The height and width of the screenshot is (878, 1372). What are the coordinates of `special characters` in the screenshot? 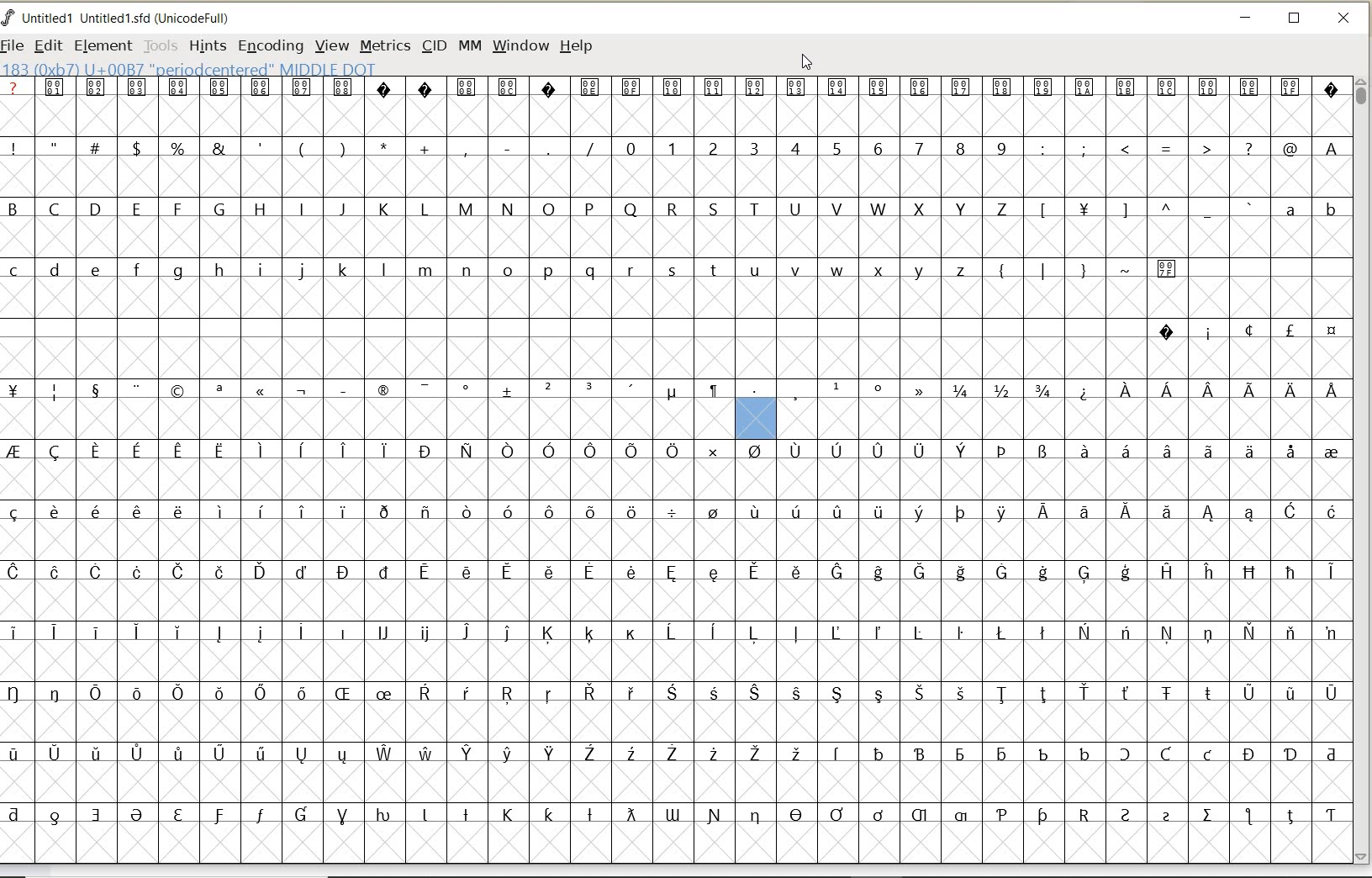 It's located at (1247, 331).